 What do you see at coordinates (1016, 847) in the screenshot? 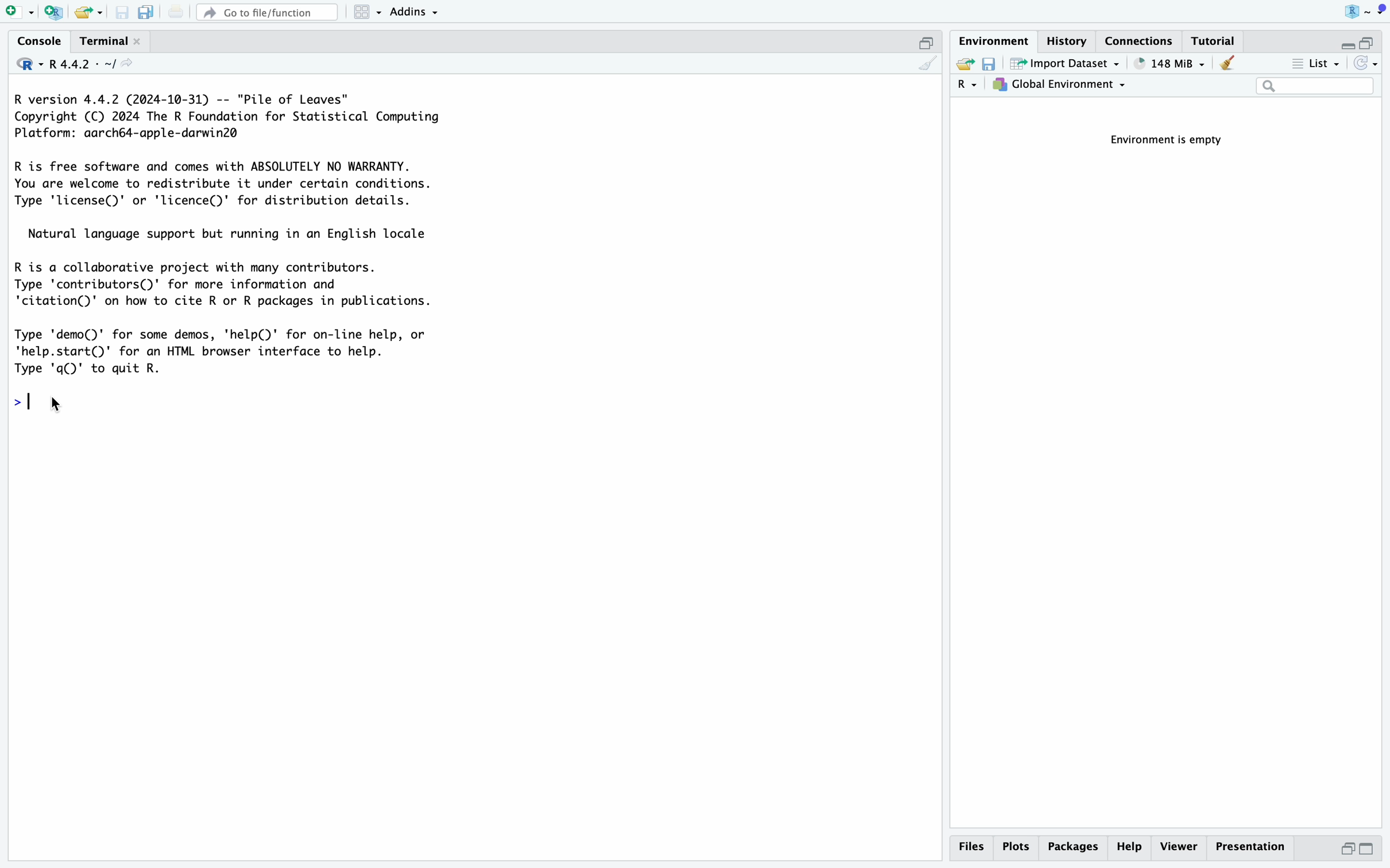
I see `plots` at bounding box center [1016, 847].